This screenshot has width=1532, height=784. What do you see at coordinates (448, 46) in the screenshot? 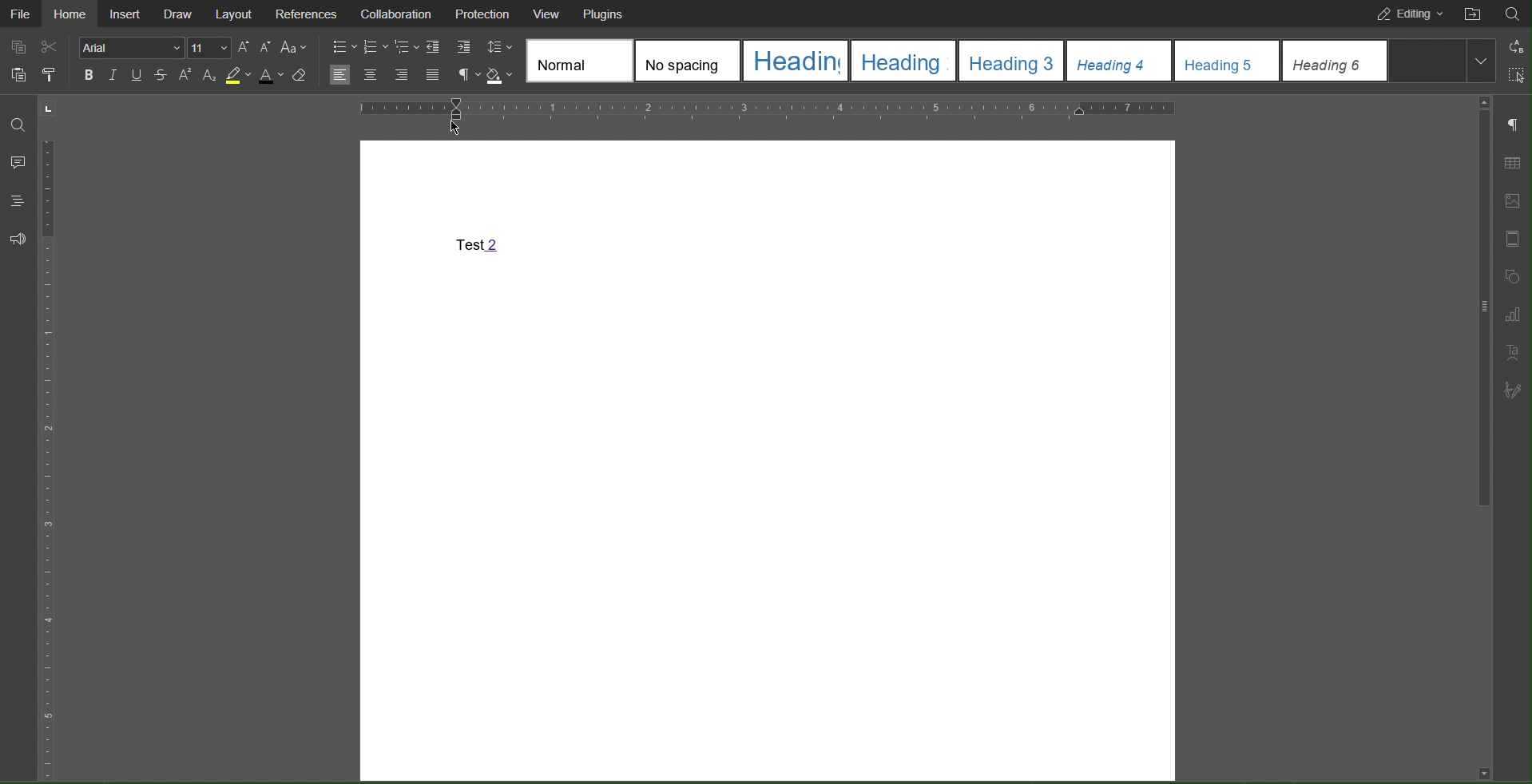
I see `Indents` at bounding box center [448, 46].